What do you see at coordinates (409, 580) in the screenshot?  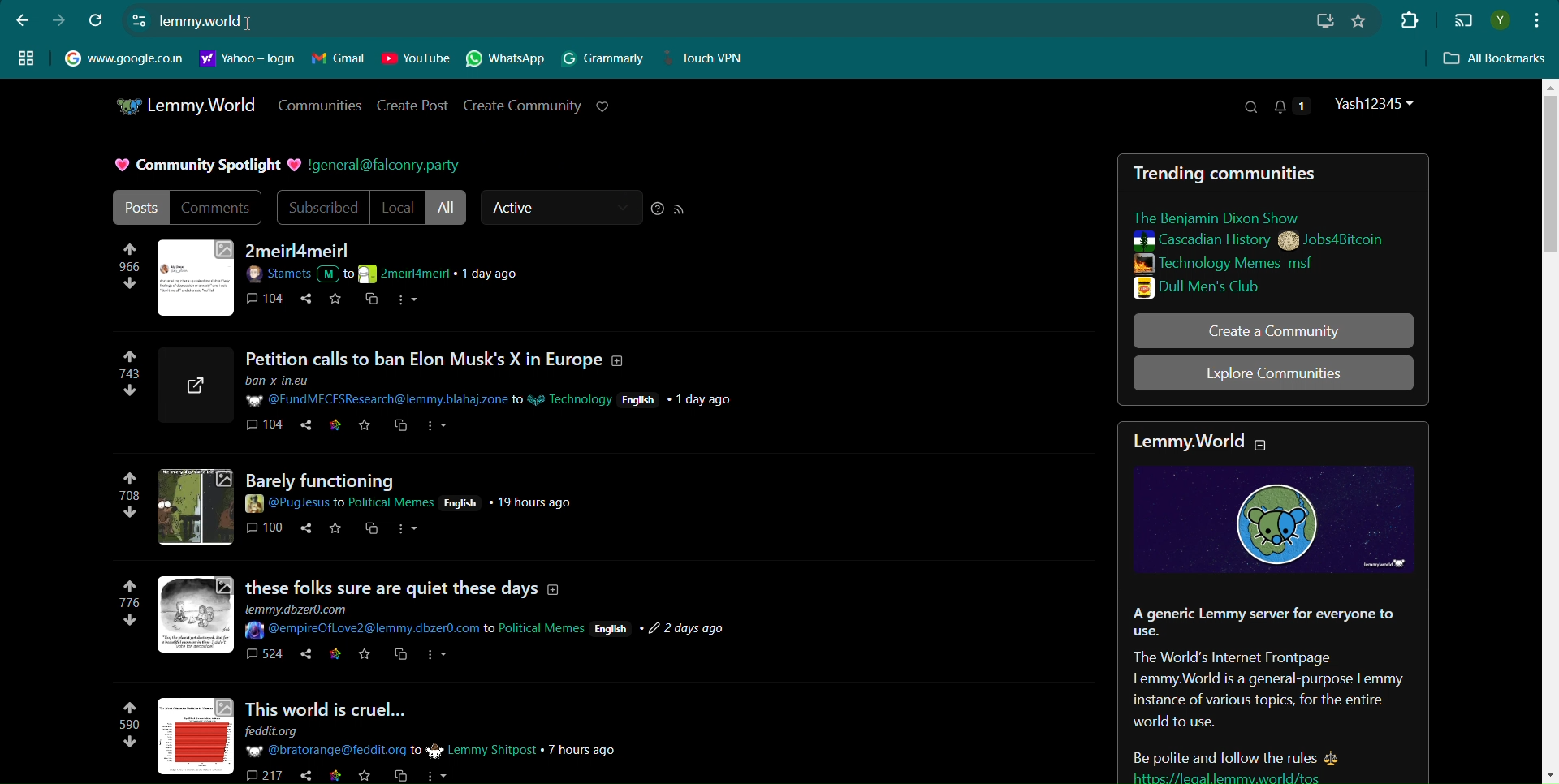 I see `these folks sure are quiet these days` at bounding box center [409, 580].